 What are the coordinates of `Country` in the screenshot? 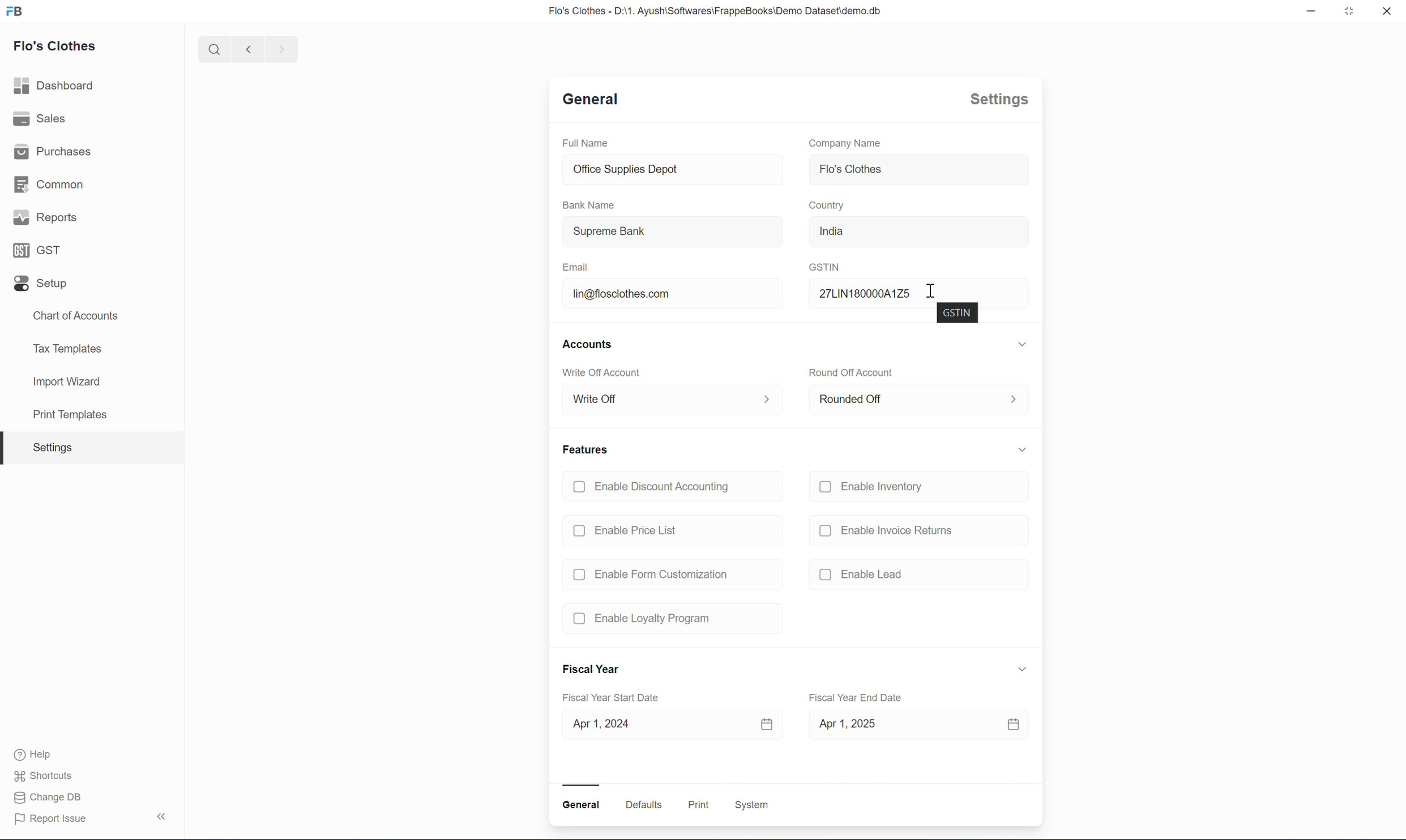 It's located at (826, 205).